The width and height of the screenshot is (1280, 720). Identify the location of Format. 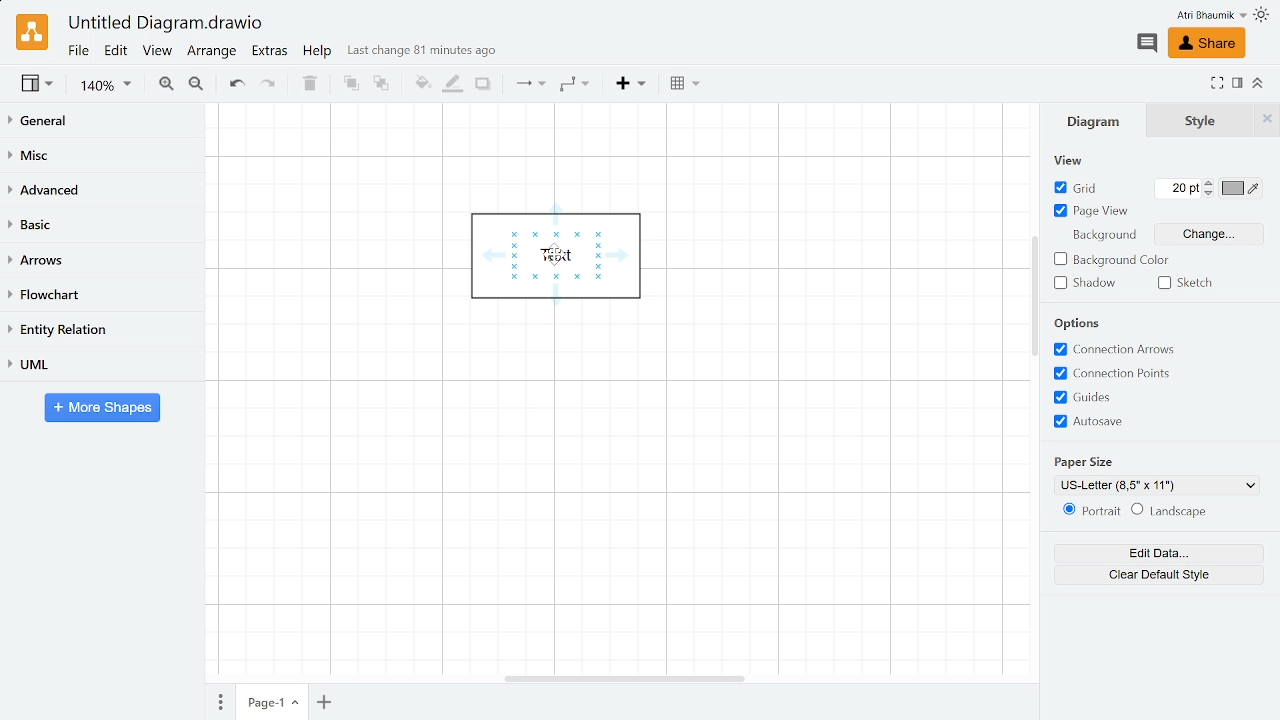
(1237, 85).